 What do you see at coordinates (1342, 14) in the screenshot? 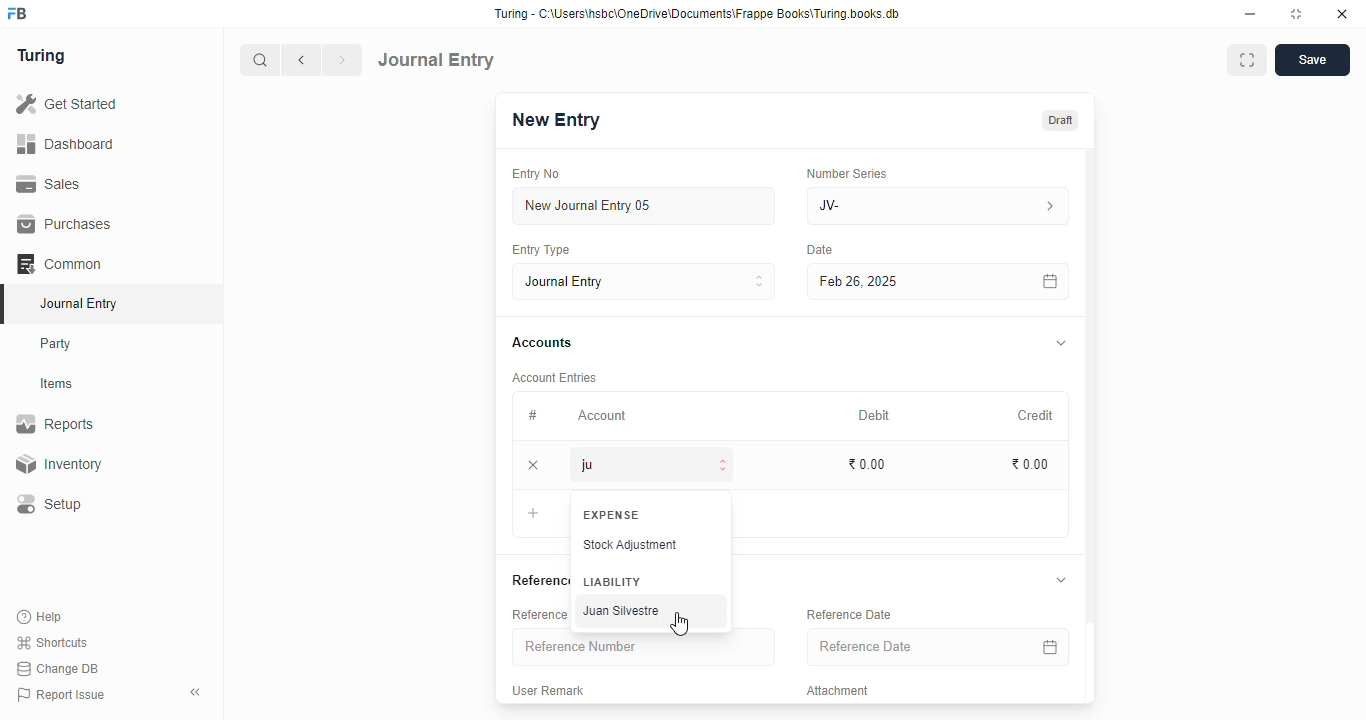
I see `close` at bounding box center [1342, 14].